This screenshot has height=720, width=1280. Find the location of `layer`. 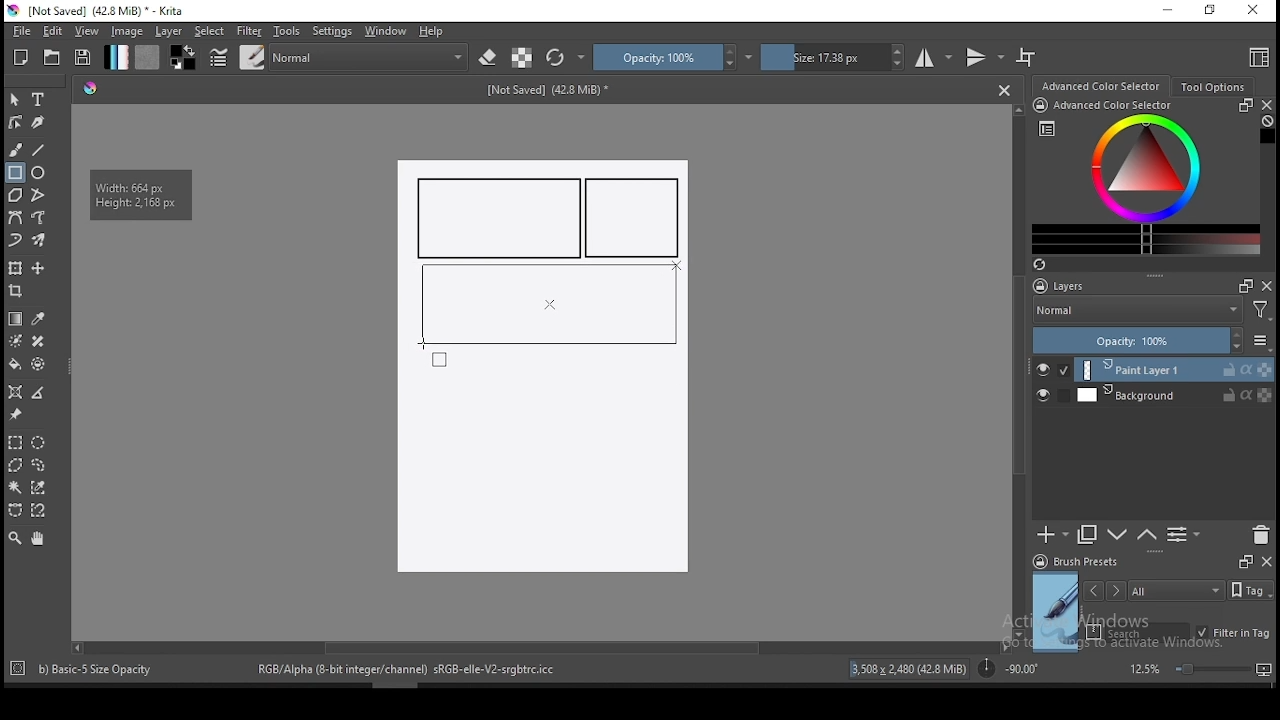

layer is located at coordinates (1175, 370).